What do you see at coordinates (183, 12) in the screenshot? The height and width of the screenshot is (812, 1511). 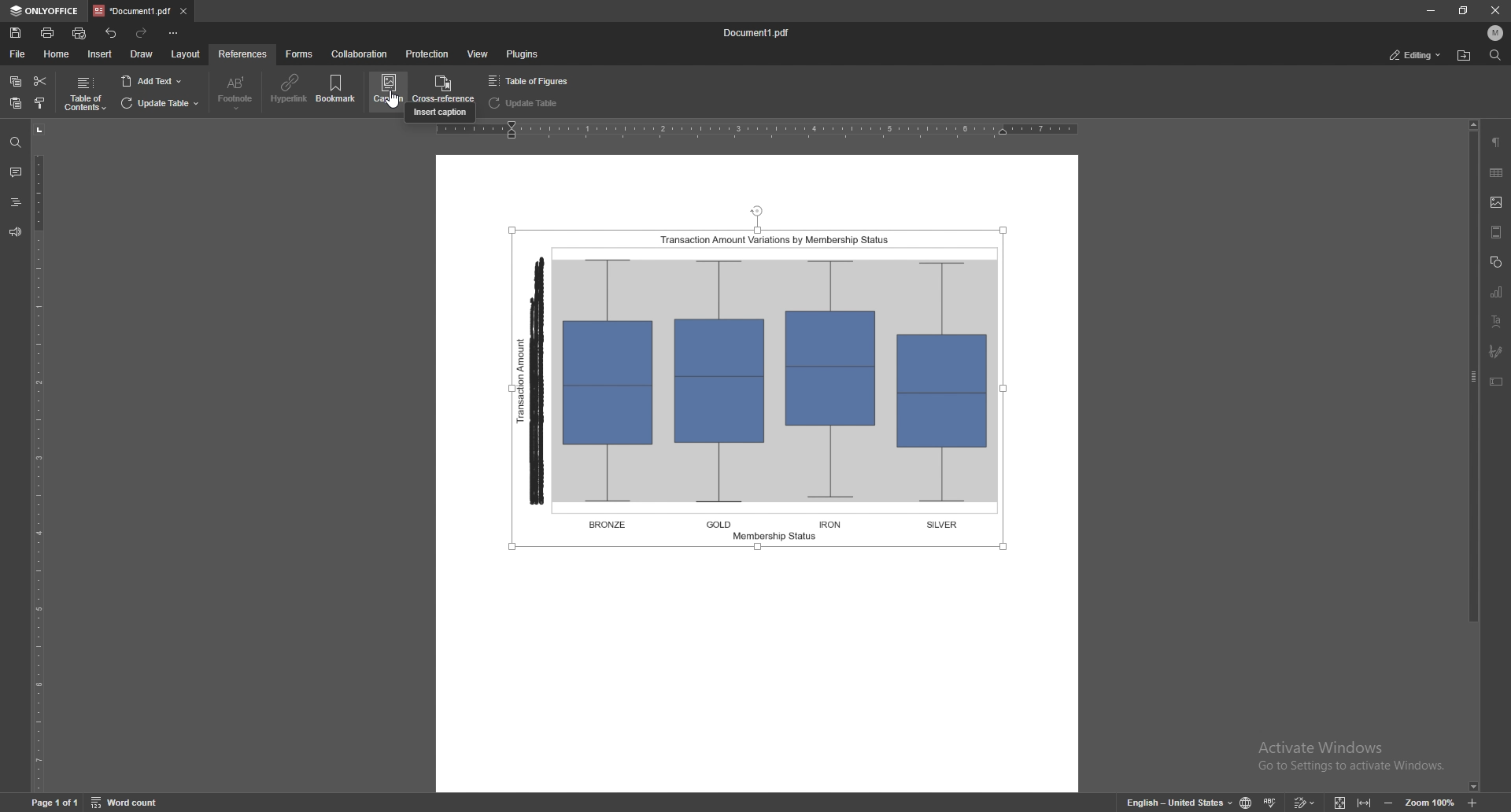 I see `close tab` at bounding box center [183, 12].